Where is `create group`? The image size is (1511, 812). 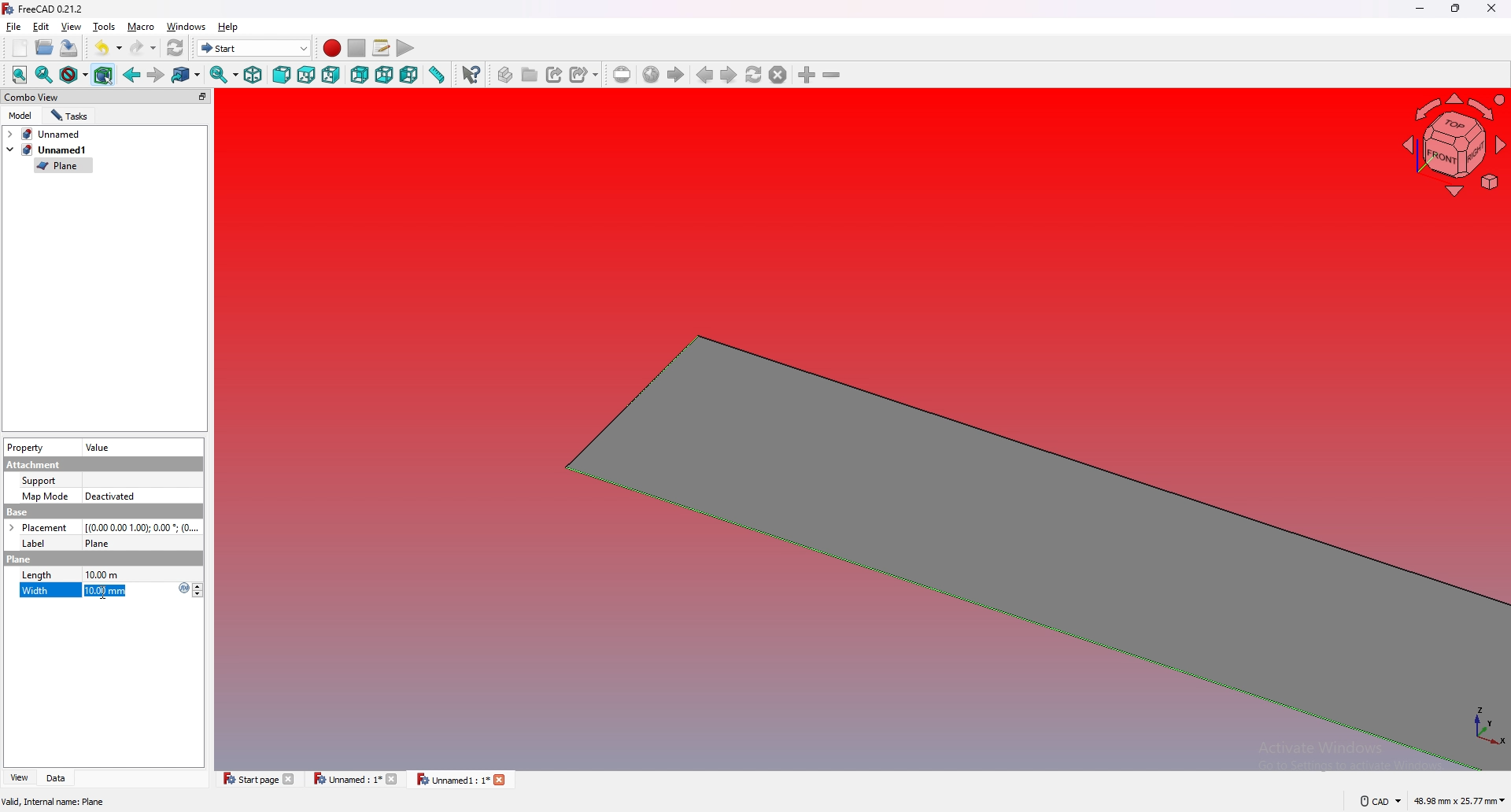
create group is located at coordinates (531, 74).